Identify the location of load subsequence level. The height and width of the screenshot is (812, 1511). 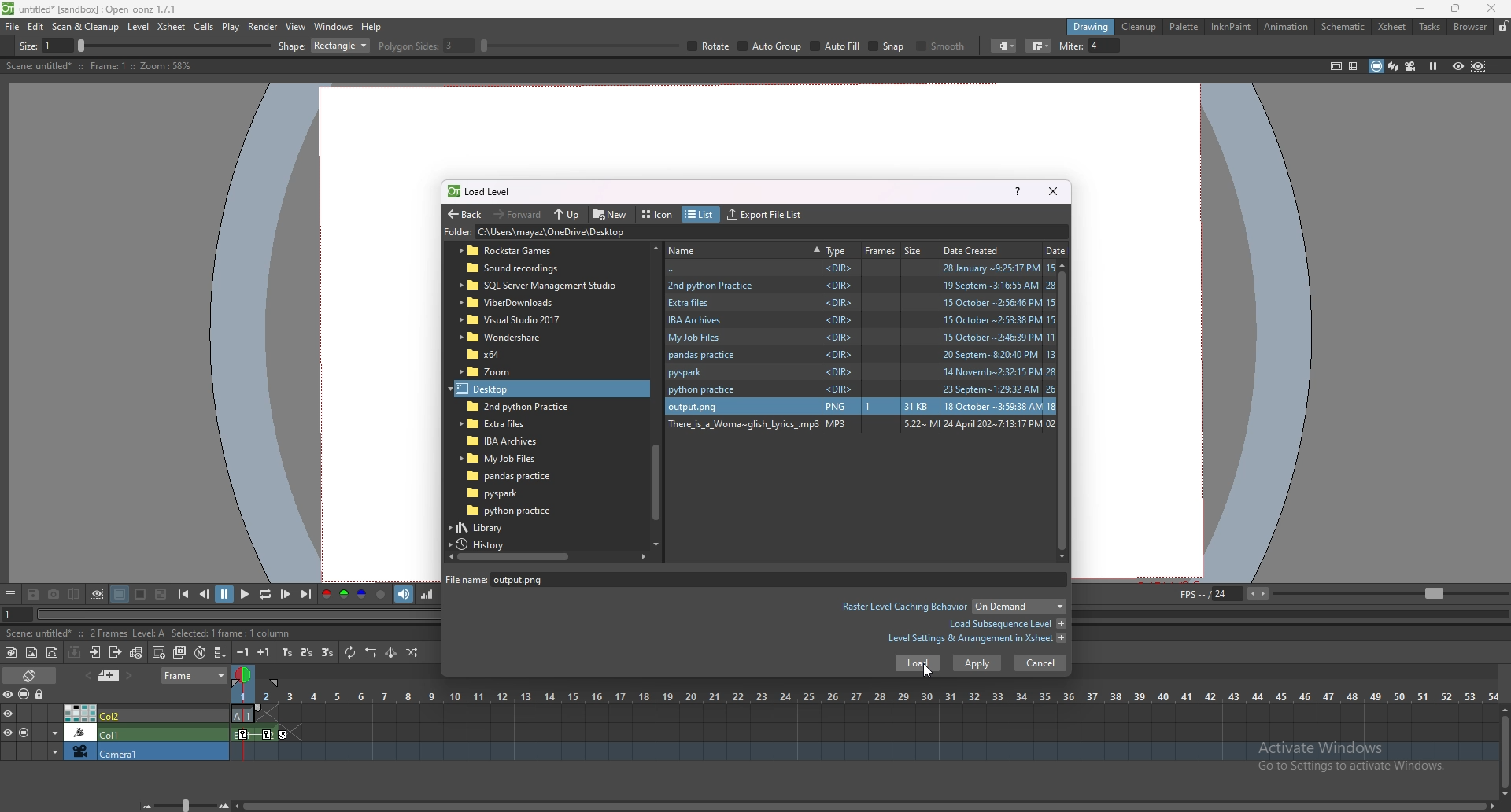
(1007, 624).